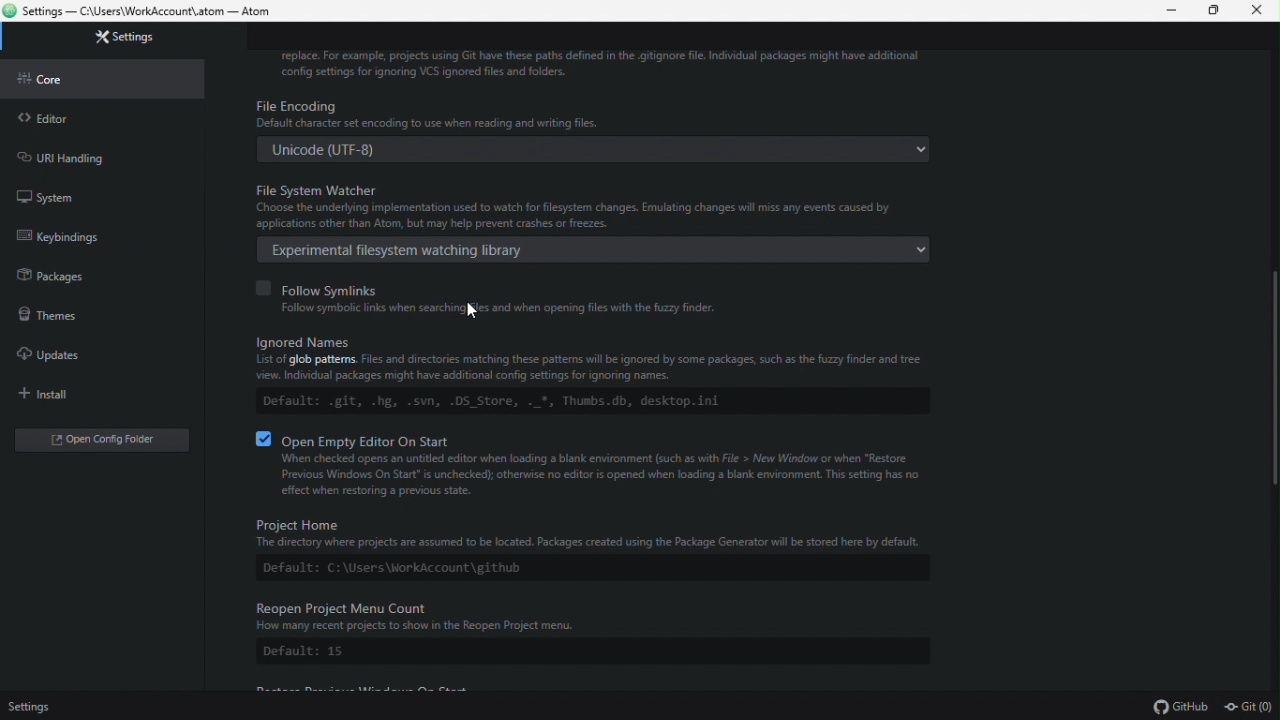 The width and height of the screenshot is (1280, 720). Describe the element at coordinates (467, 313) in the screenshot. I see `cursor` at that location.